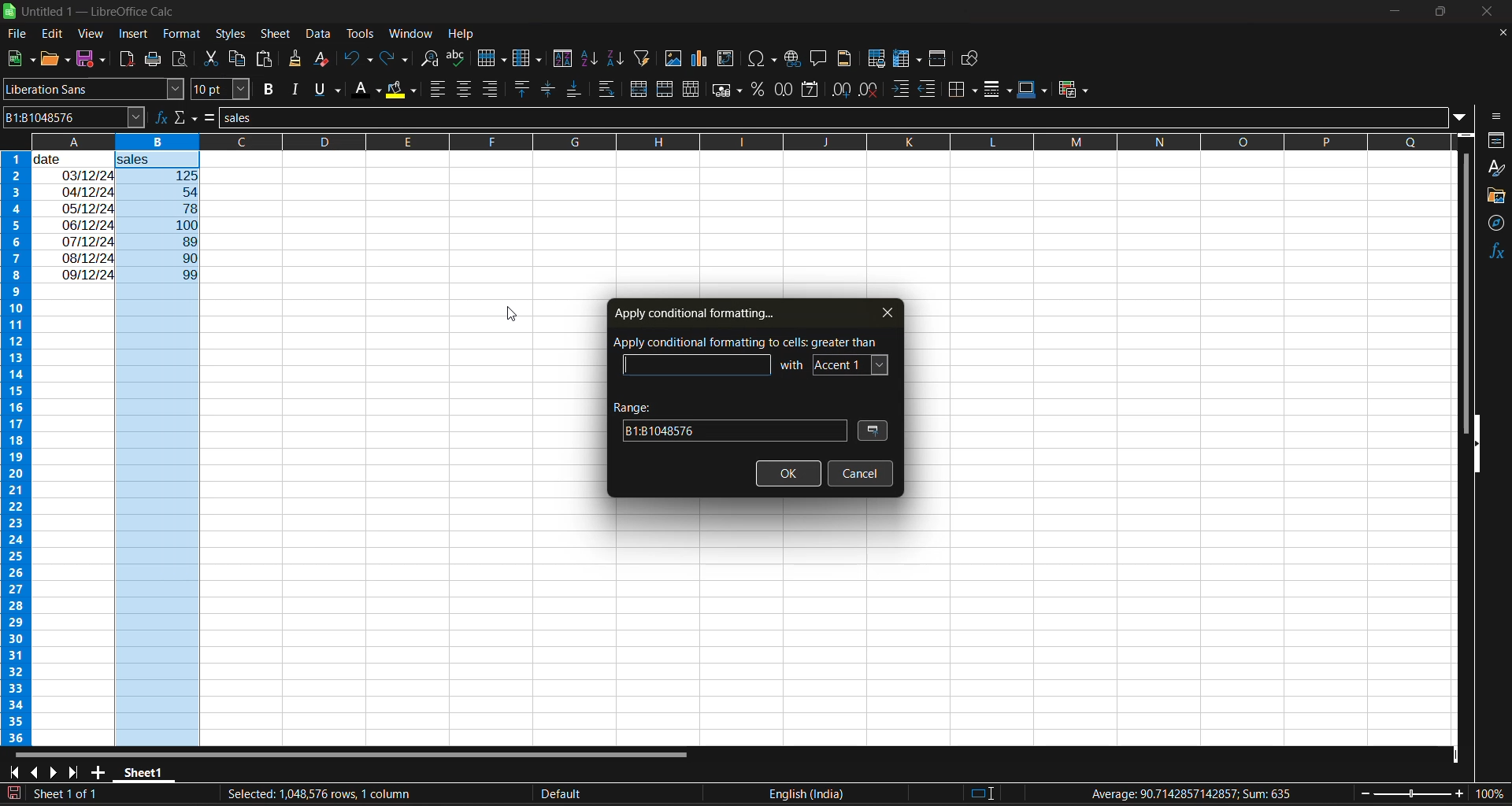 The width and height of the screenshot is (1512, 806). I want to click on open, so click(54, 60).